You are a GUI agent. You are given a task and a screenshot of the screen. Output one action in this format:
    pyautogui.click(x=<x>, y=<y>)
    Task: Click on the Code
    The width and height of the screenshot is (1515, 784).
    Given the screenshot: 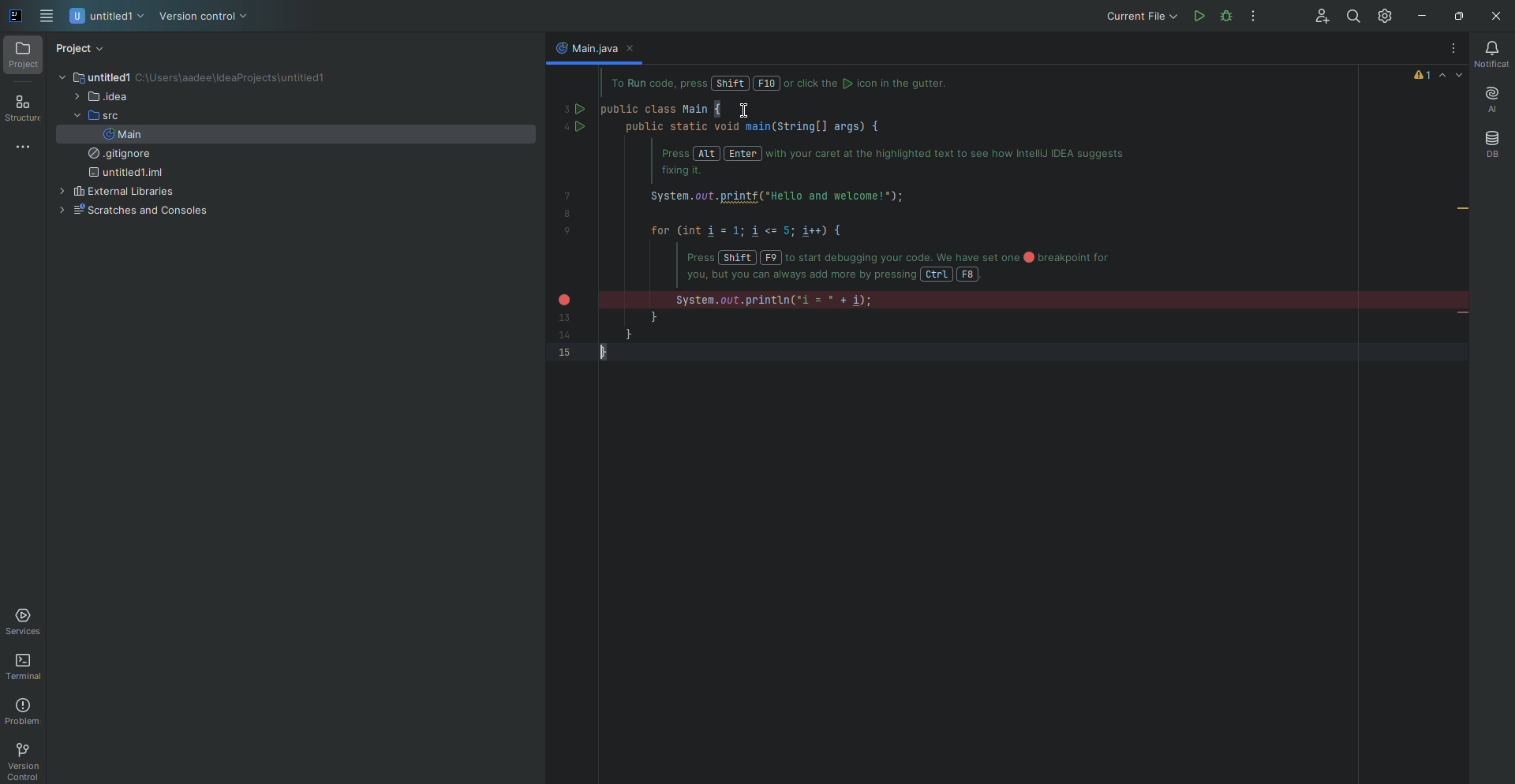 What is the action you would take?
    pyautogui.click(x=876, y=230)
    